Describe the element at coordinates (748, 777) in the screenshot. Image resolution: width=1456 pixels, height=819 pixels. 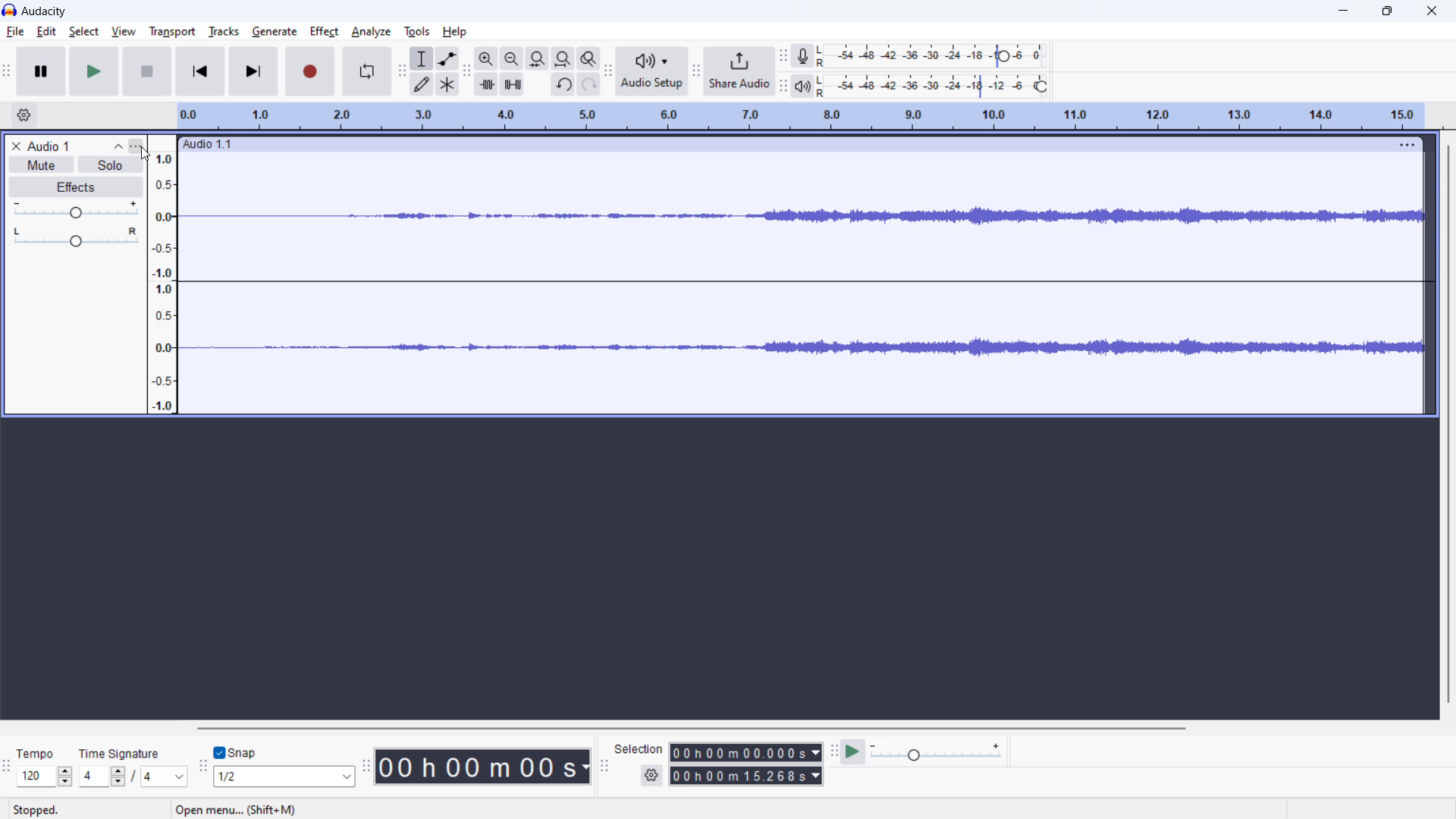
I see `end time` at that location.